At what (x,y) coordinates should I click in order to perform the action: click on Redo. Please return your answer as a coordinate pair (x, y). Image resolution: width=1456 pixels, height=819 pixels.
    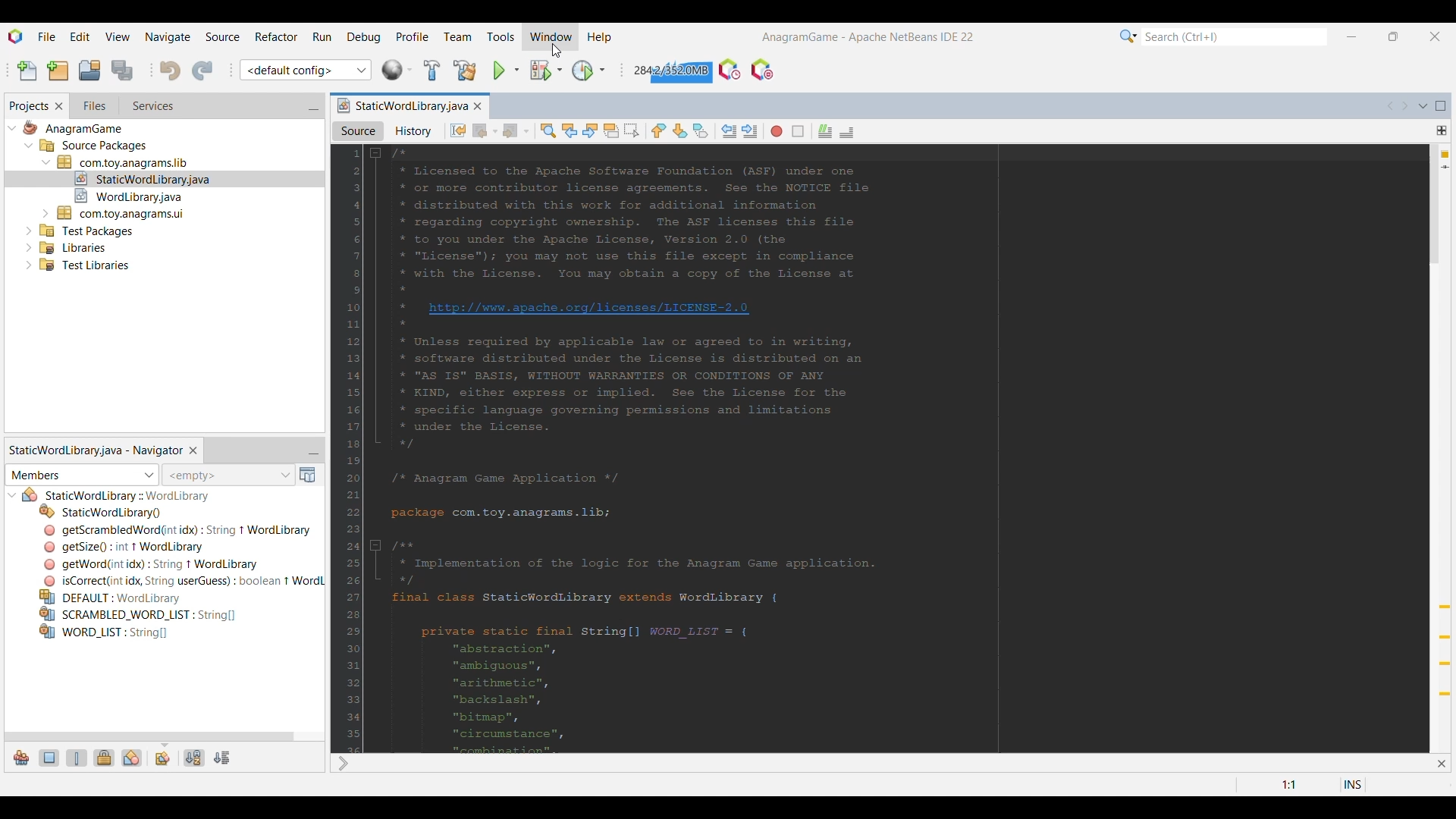
    Looking at the image, I should click on (202, 71).